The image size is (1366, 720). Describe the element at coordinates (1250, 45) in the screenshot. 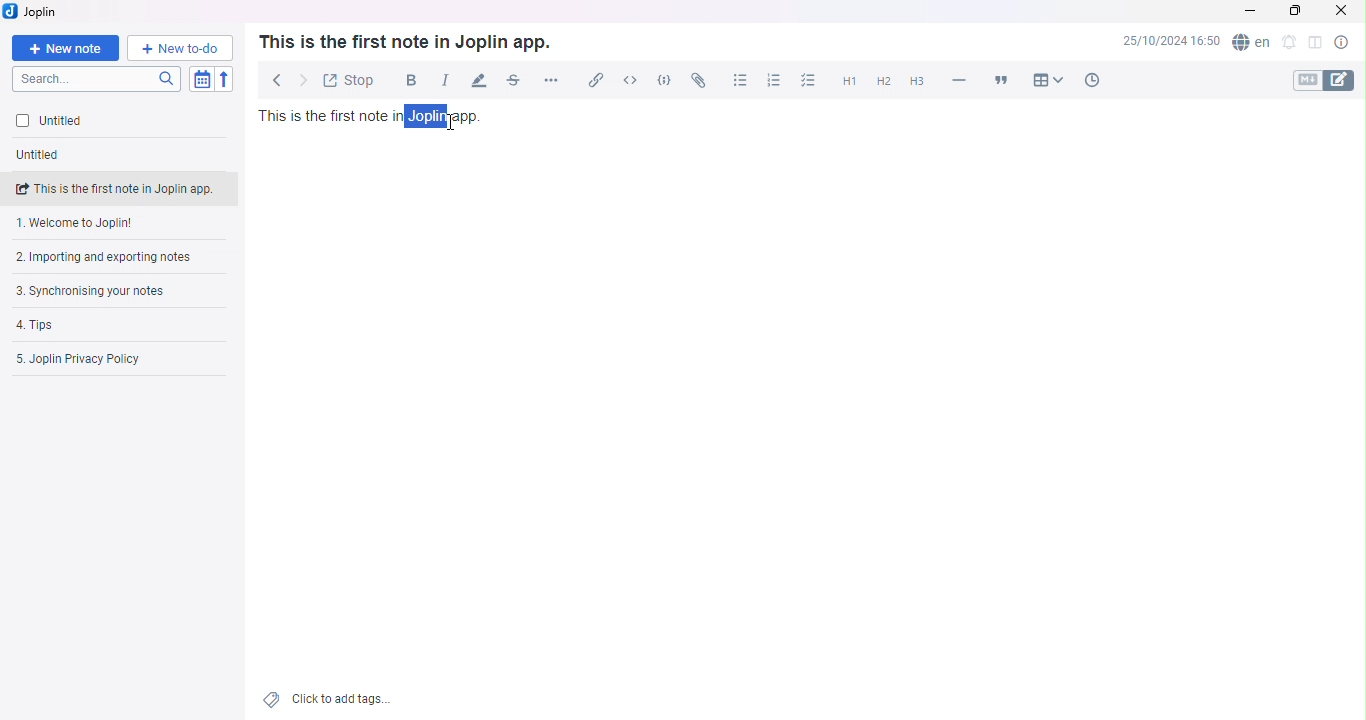

I see `Spell checker` at that location.